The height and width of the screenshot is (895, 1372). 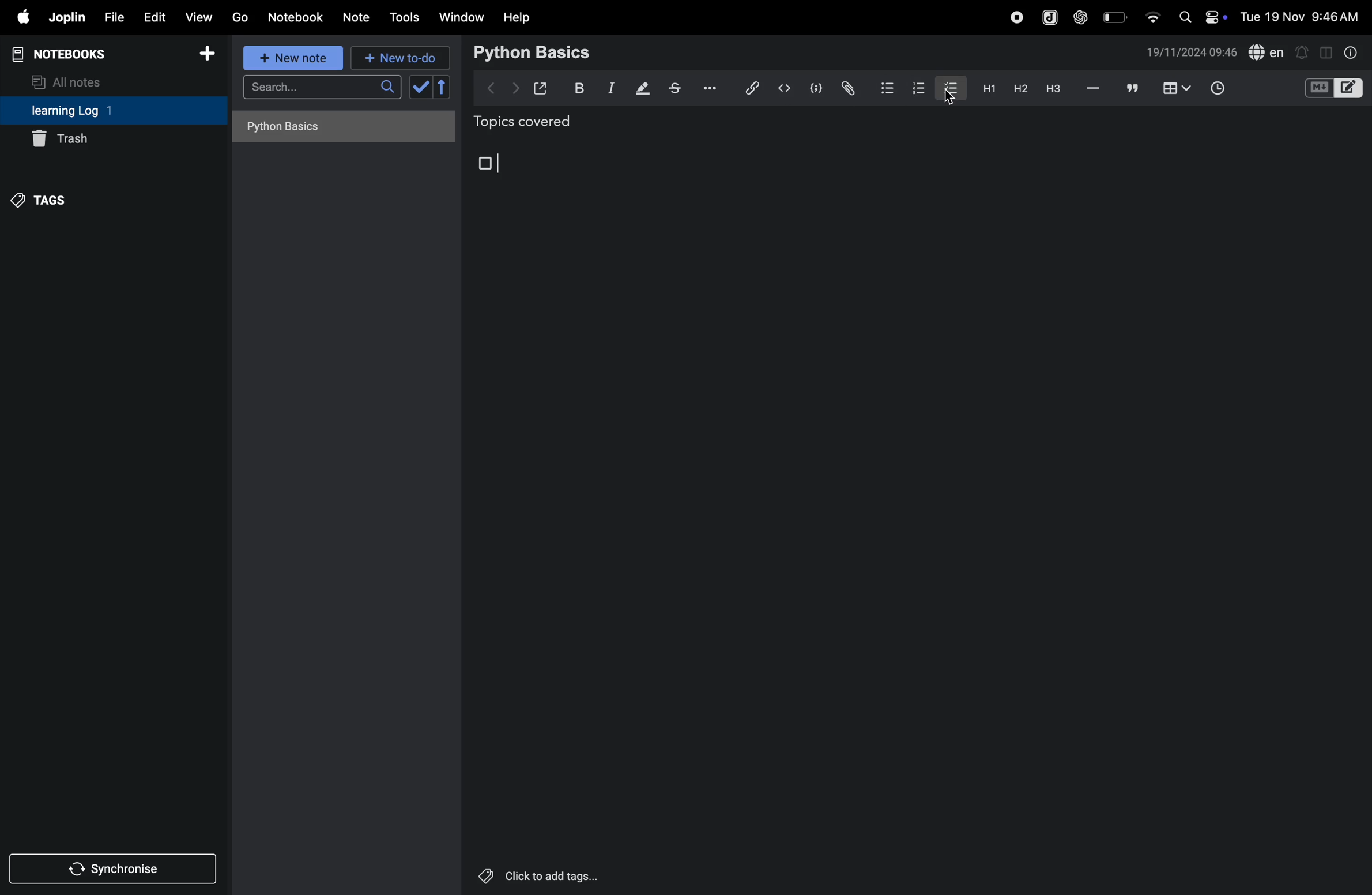 What do you see at coordinates (322, 91) in the screenshot?
I see `search` at bounding box center [322, 91].